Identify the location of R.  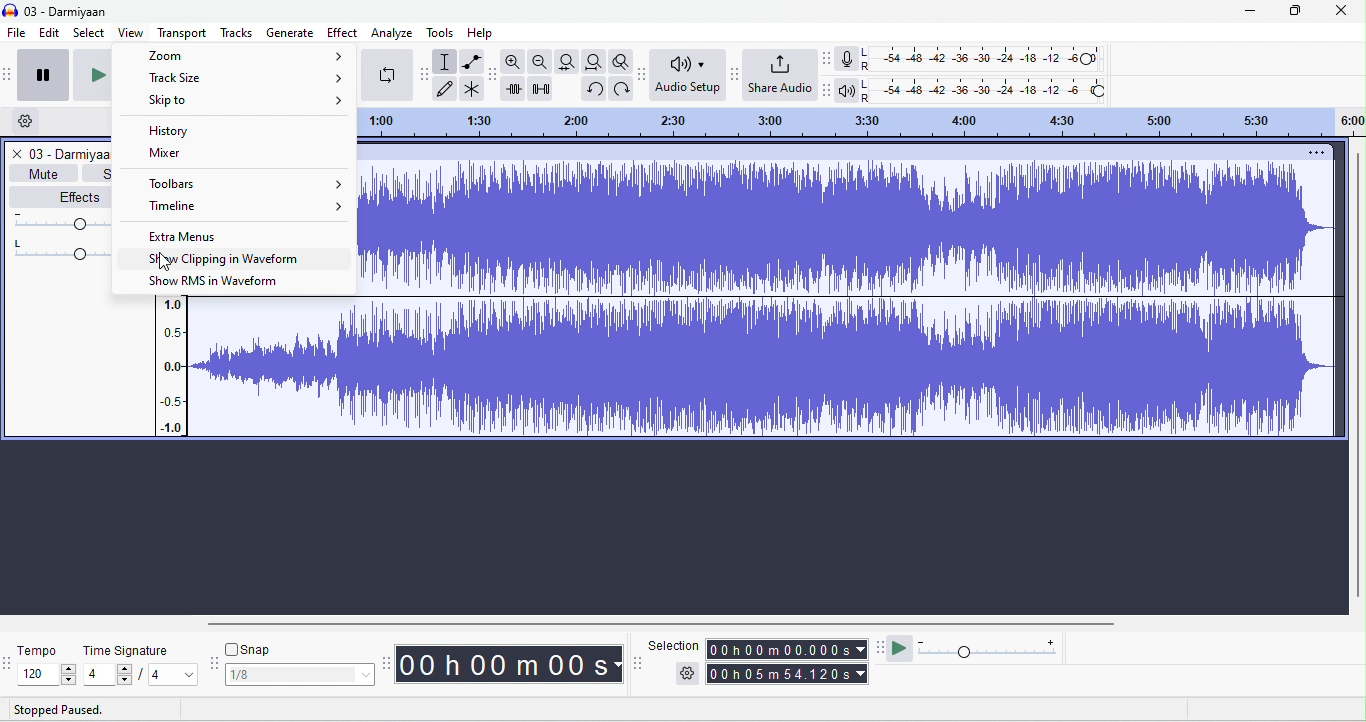
(868, 100).